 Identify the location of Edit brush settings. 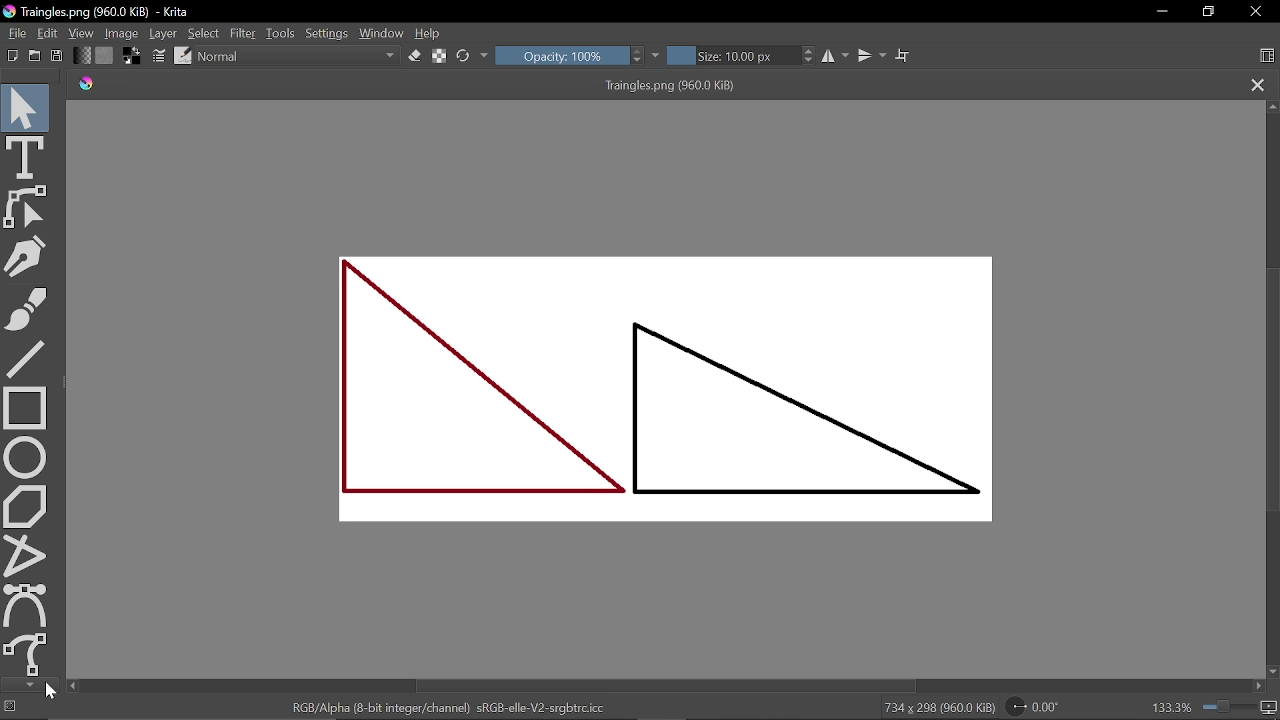
(159, 56).